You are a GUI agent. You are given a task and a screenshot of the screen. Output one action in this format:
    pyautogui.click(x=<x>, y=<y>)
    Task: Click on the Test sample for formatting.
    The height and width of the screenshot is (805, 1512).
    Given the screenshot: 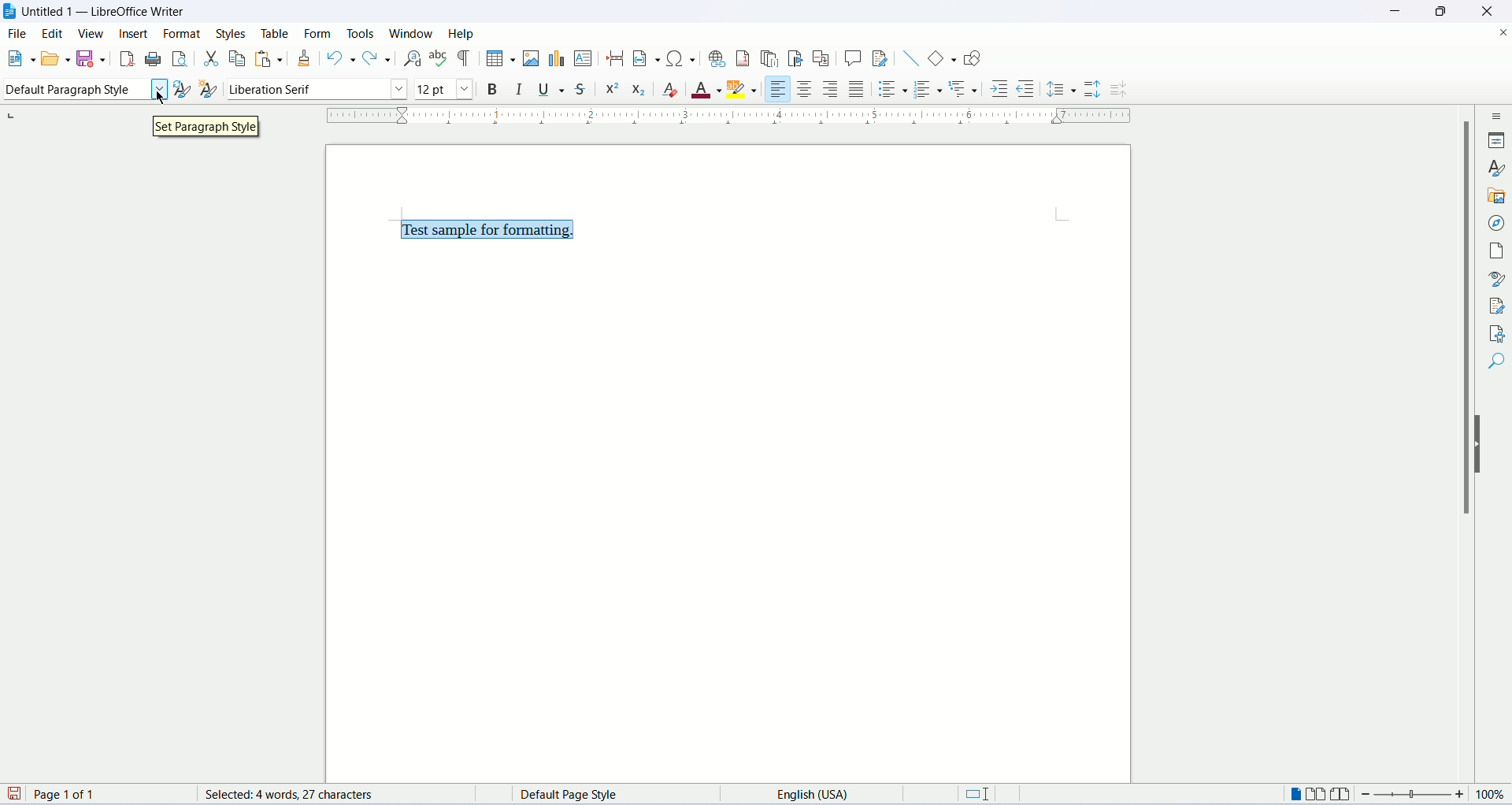 What is the action you would take?
    pyautogui.click(x=475, y=228)
    